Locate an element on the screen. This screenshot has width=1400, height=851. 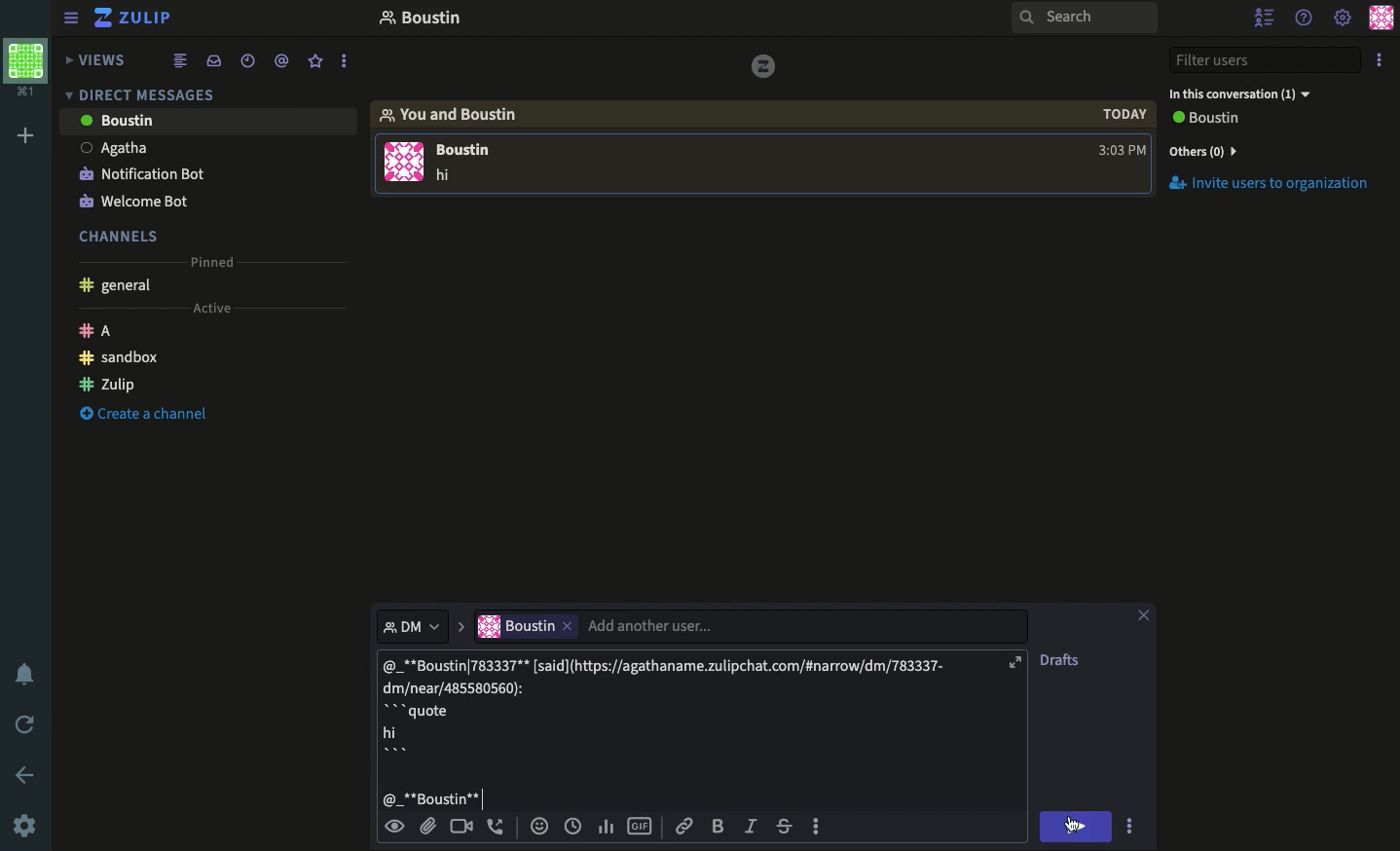
Notification is located at coordinates (25, 675).